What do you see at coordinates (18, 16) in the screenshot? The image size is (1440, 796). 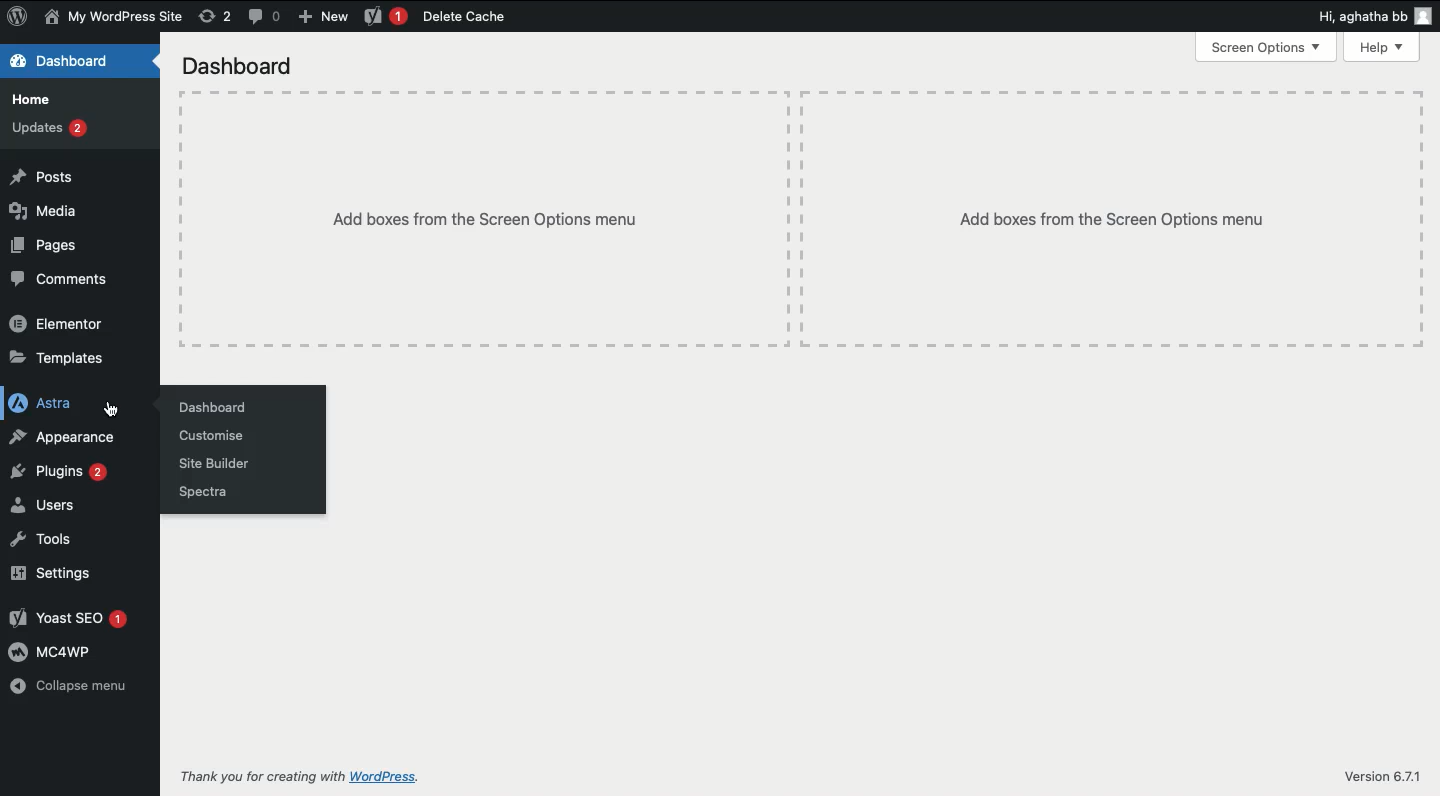 I see `WordPress Logo` at bounding box center [18, 16].